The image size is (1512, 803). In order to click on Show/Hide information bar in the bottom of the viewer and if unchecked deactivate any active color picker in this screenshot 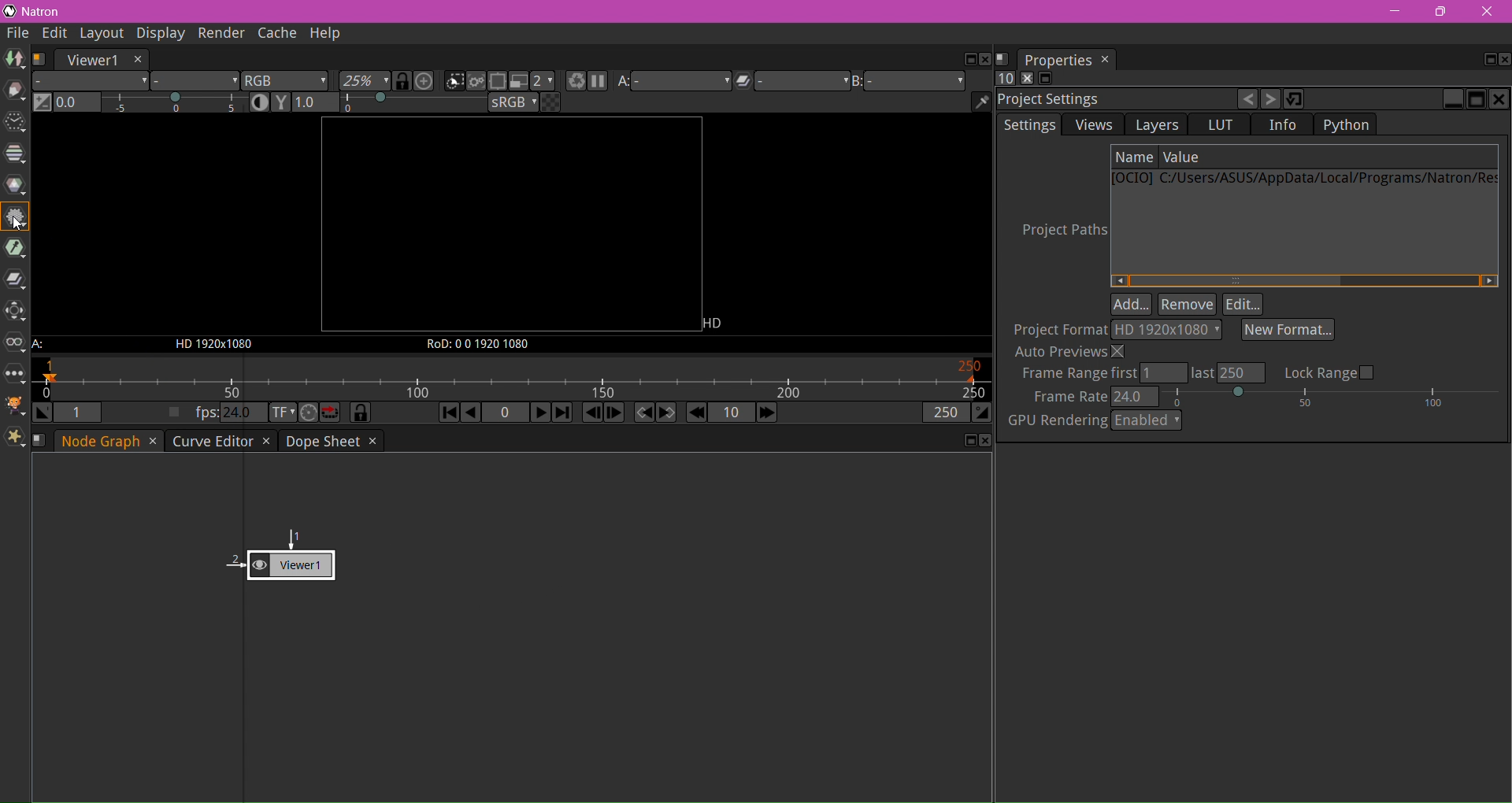, I will do `click(981, 102)`.